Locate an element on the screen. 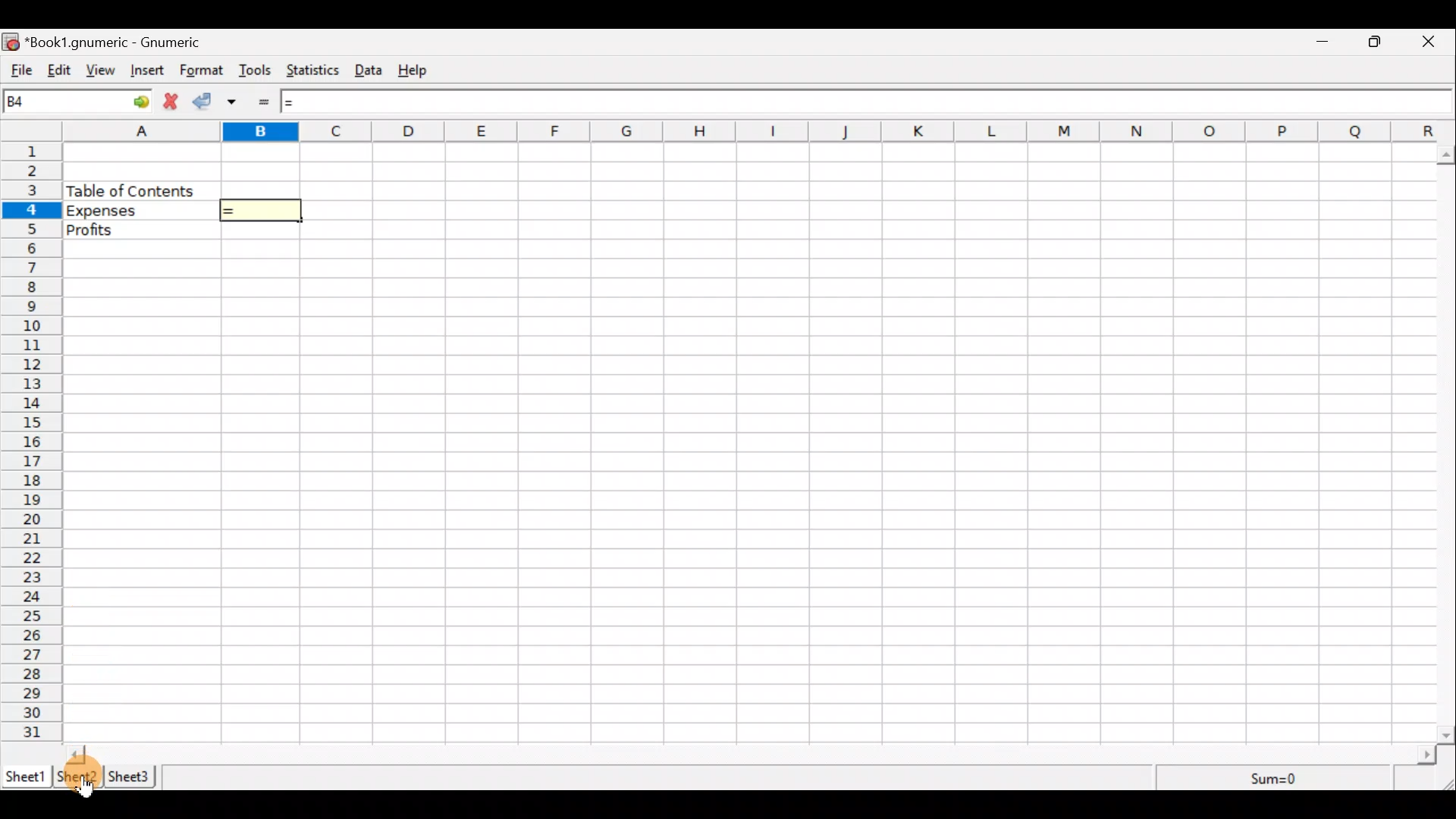  “Book1.gnumeric - Gnumeric is located at coordinates (121, 42).